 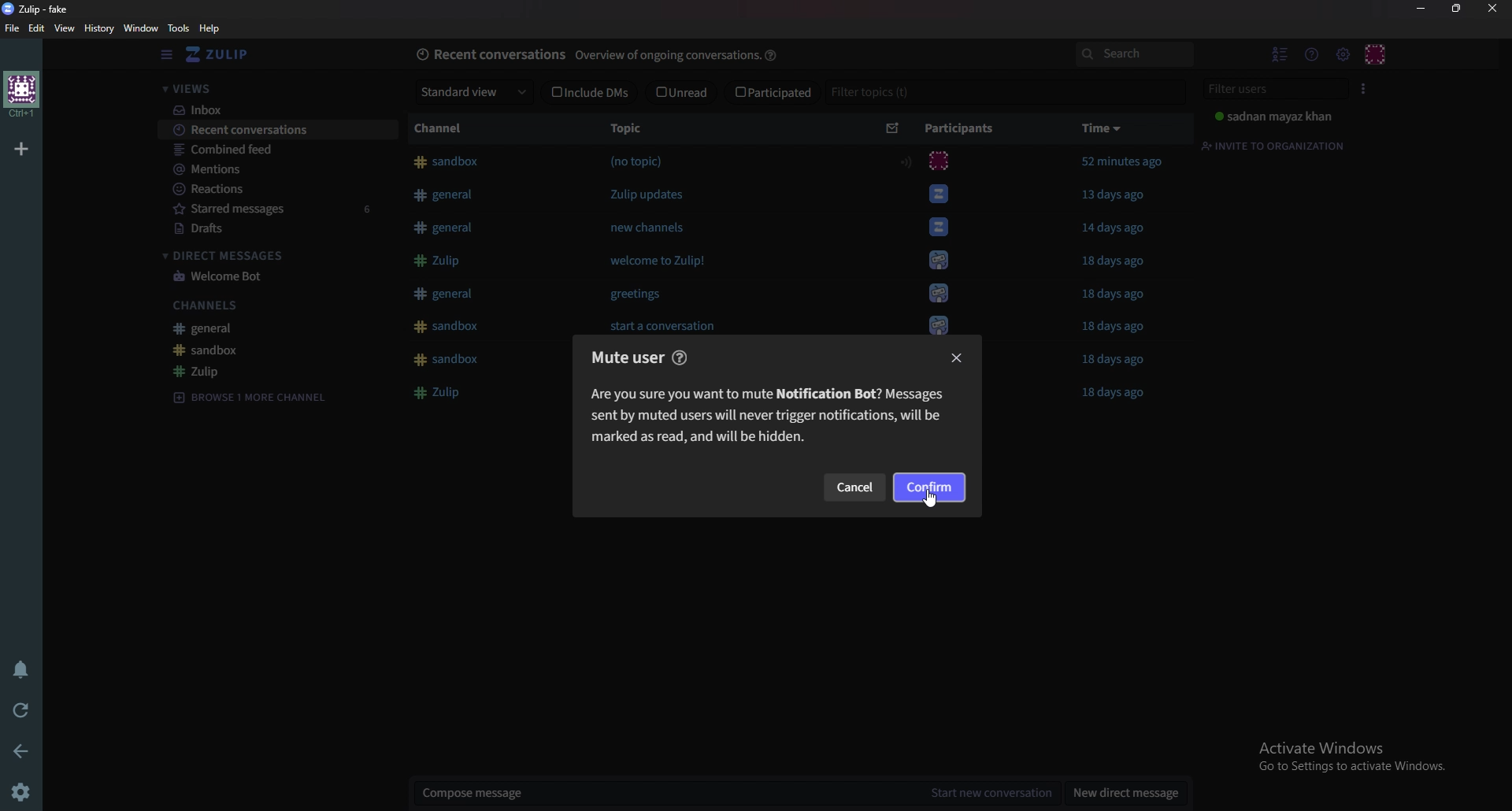 What do you see at coordinates (24, 791) in the screenshot?
I see `settings` at bounding box center [24, 791].